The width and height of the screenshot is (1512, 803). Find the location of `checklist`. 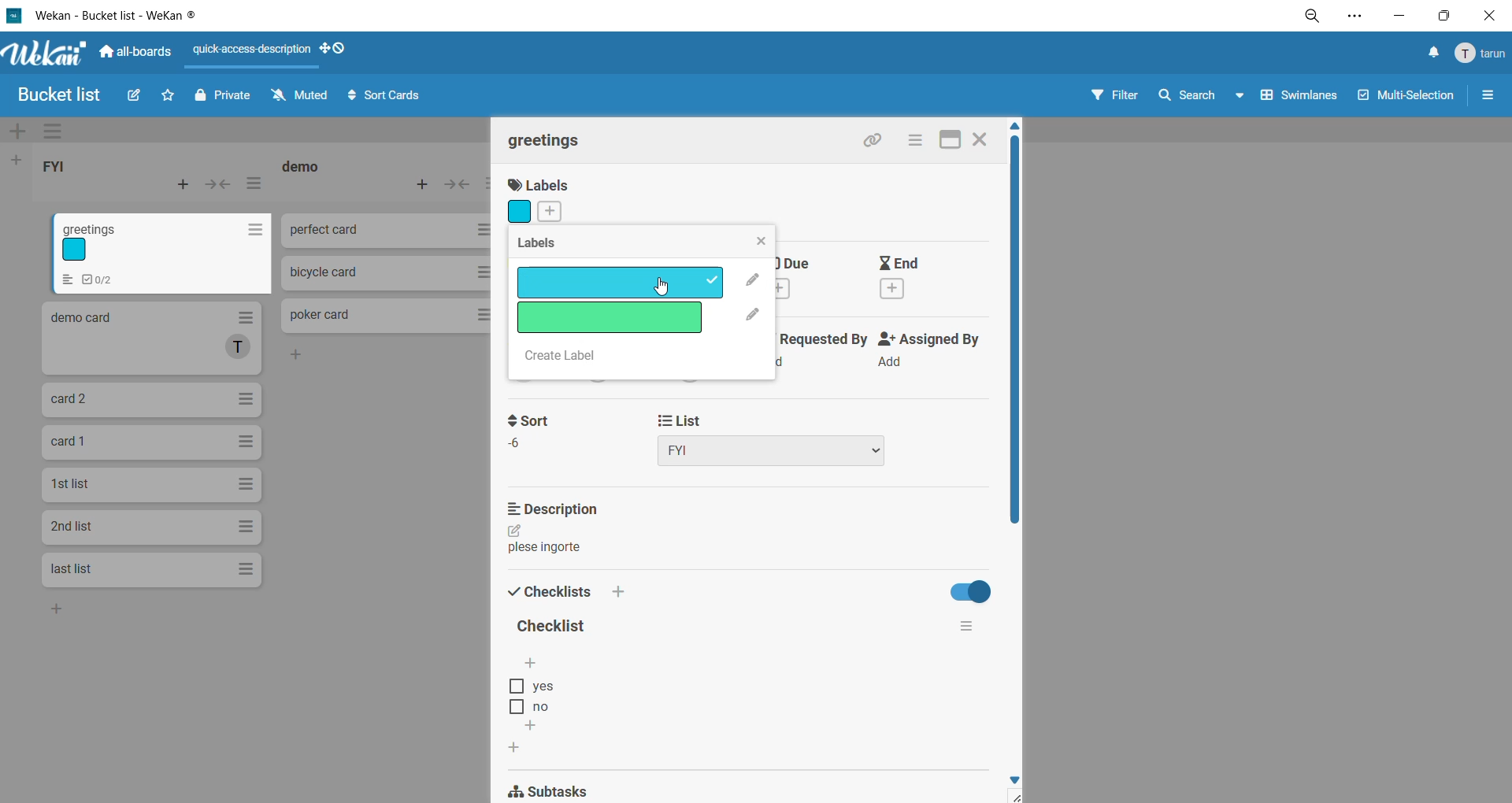

checklist is located at coordinates (549, 592).